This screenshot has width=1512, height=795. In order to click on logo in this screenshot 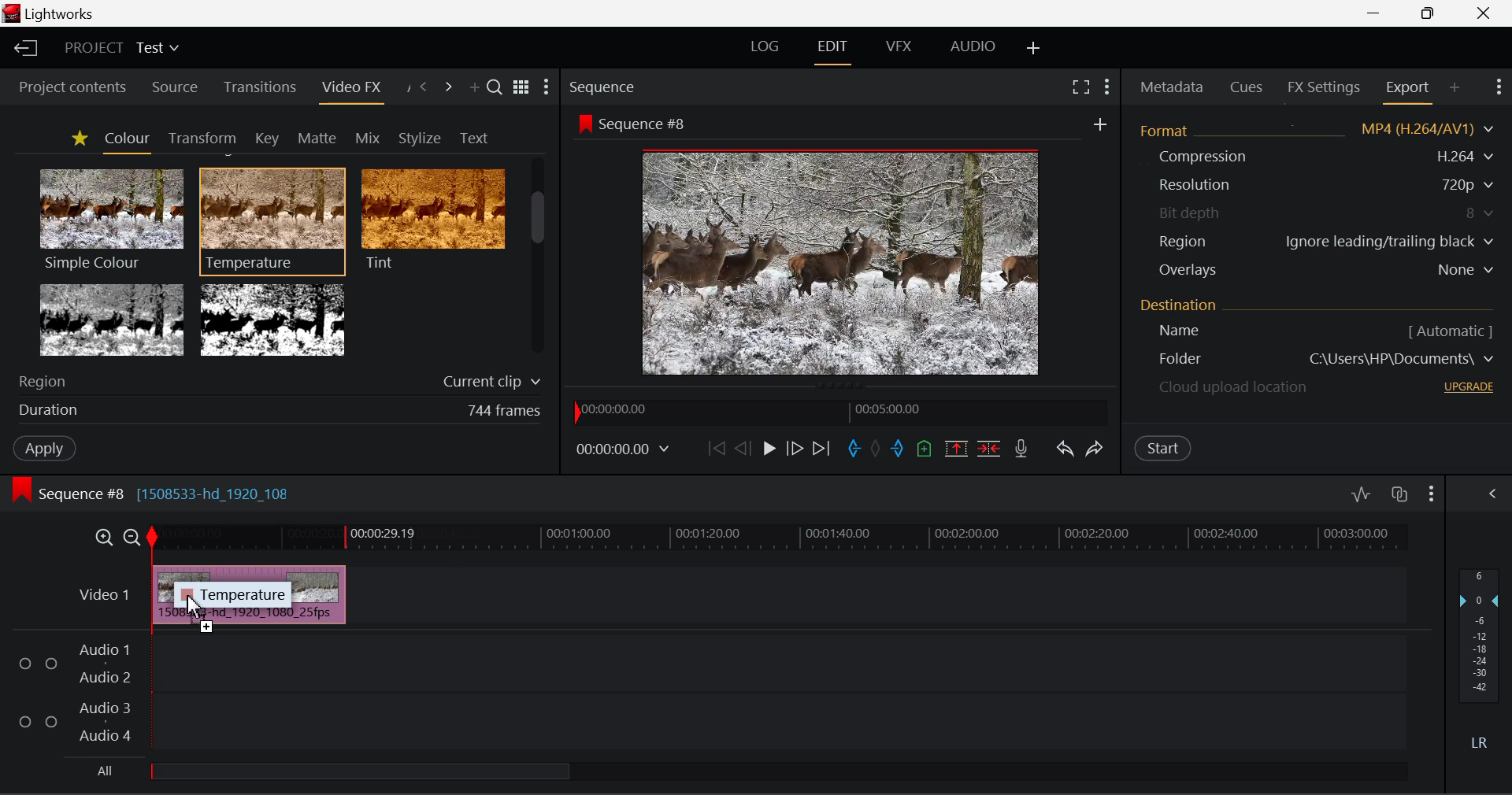, I will do `click(11, 13)`.